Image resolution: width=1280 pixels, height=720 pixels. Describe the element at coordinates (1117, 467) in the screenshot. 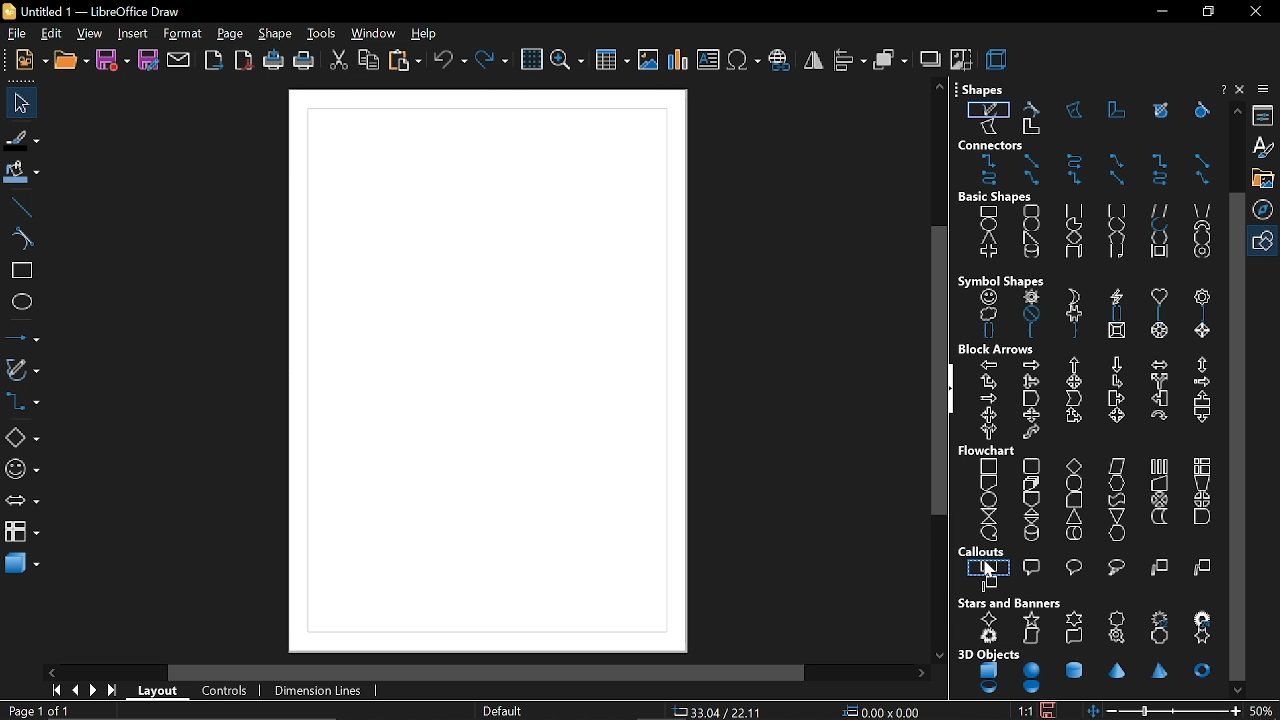

I see `data` at that location.